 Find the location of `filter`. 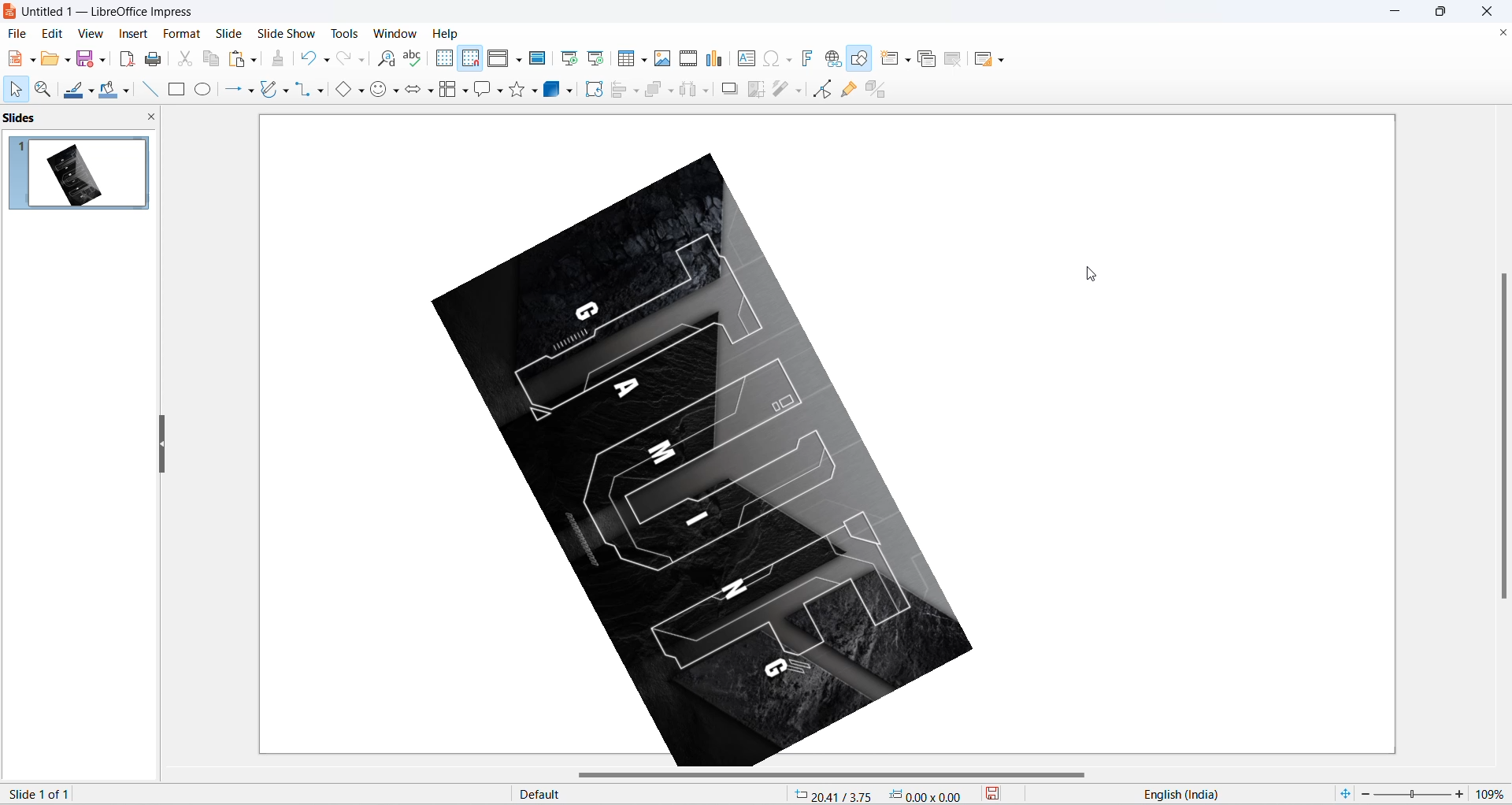

filter is located at coordinates (781, 91).